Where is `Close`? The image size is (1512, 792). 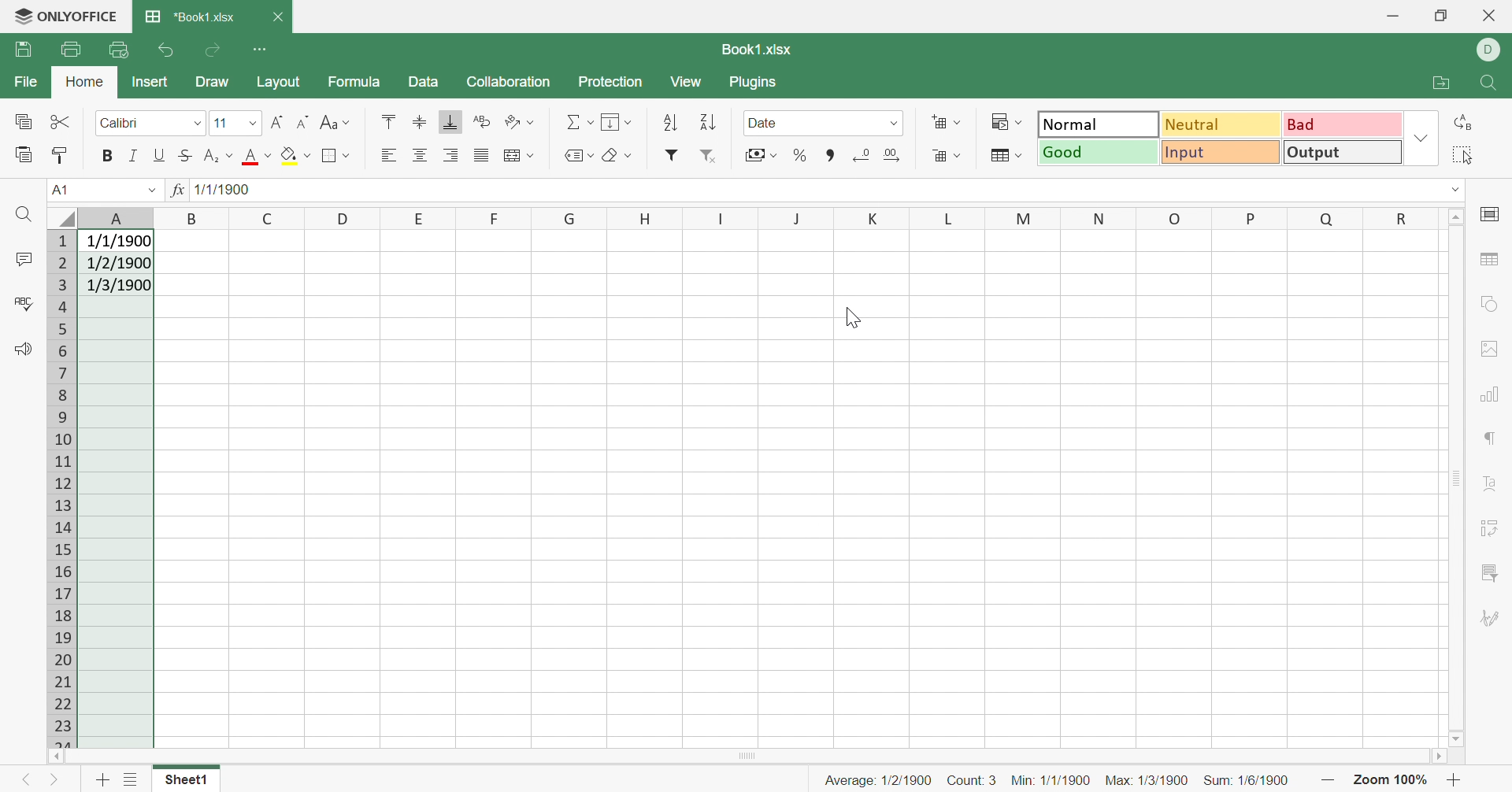 Close is located at coordinates (1491, 16).